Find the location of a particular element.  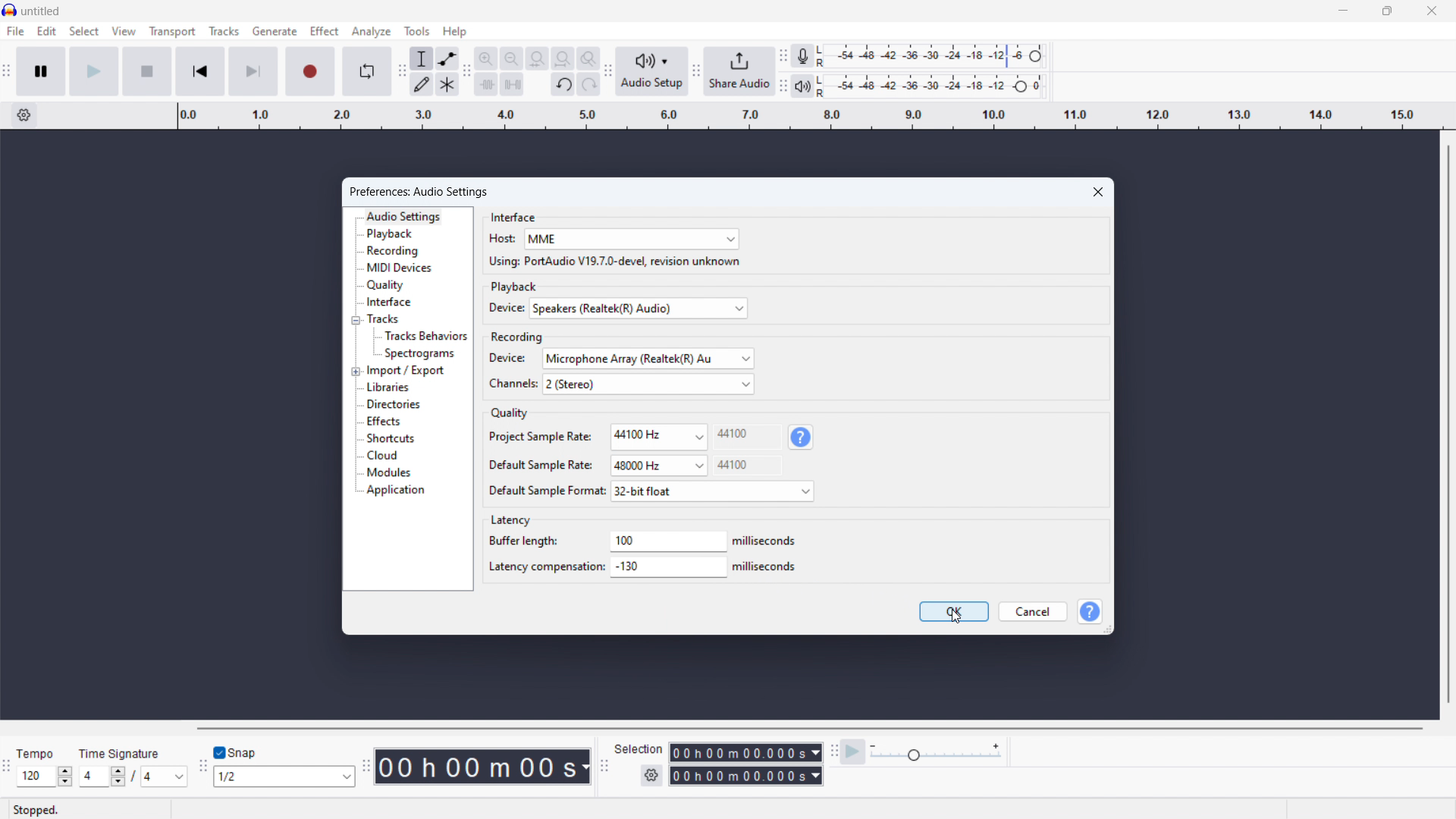

horizontal scrollbar is located at coordinates (811, 729).